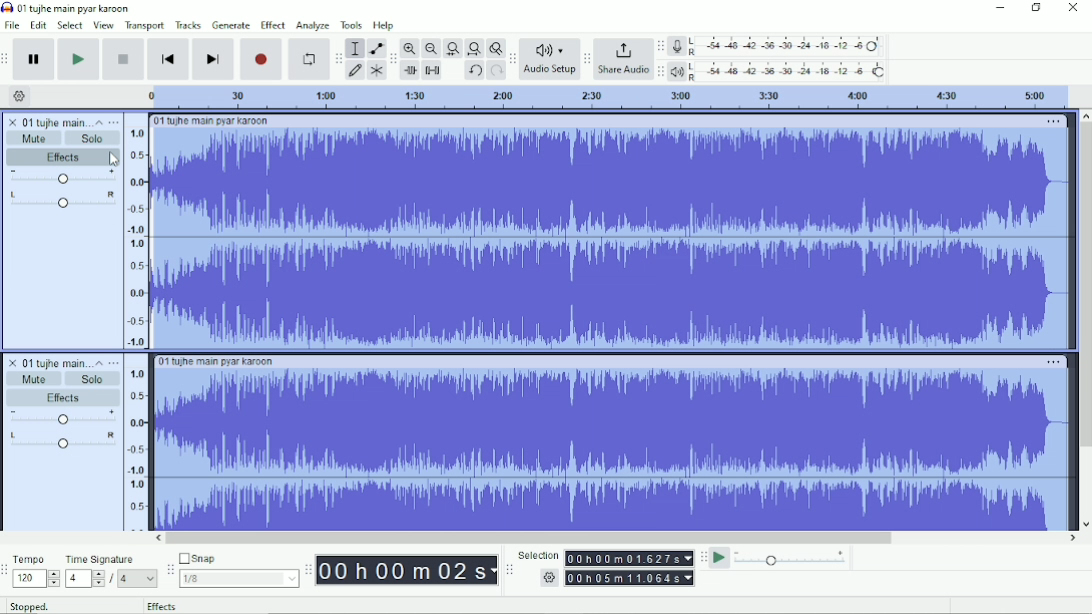  I want to click on Audacity snapping toolbar, so click(169, 568).